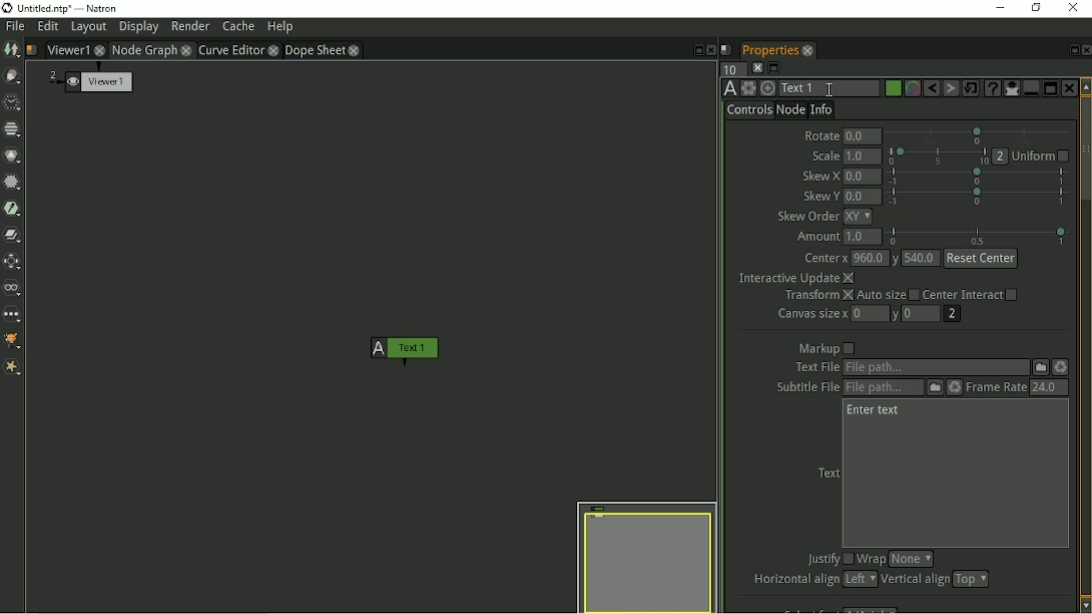 The image size is (1092, 614). What do you see at coordinates (13, 130) in the screenshot?
I see `Channel` at bounding box center [13, 130].